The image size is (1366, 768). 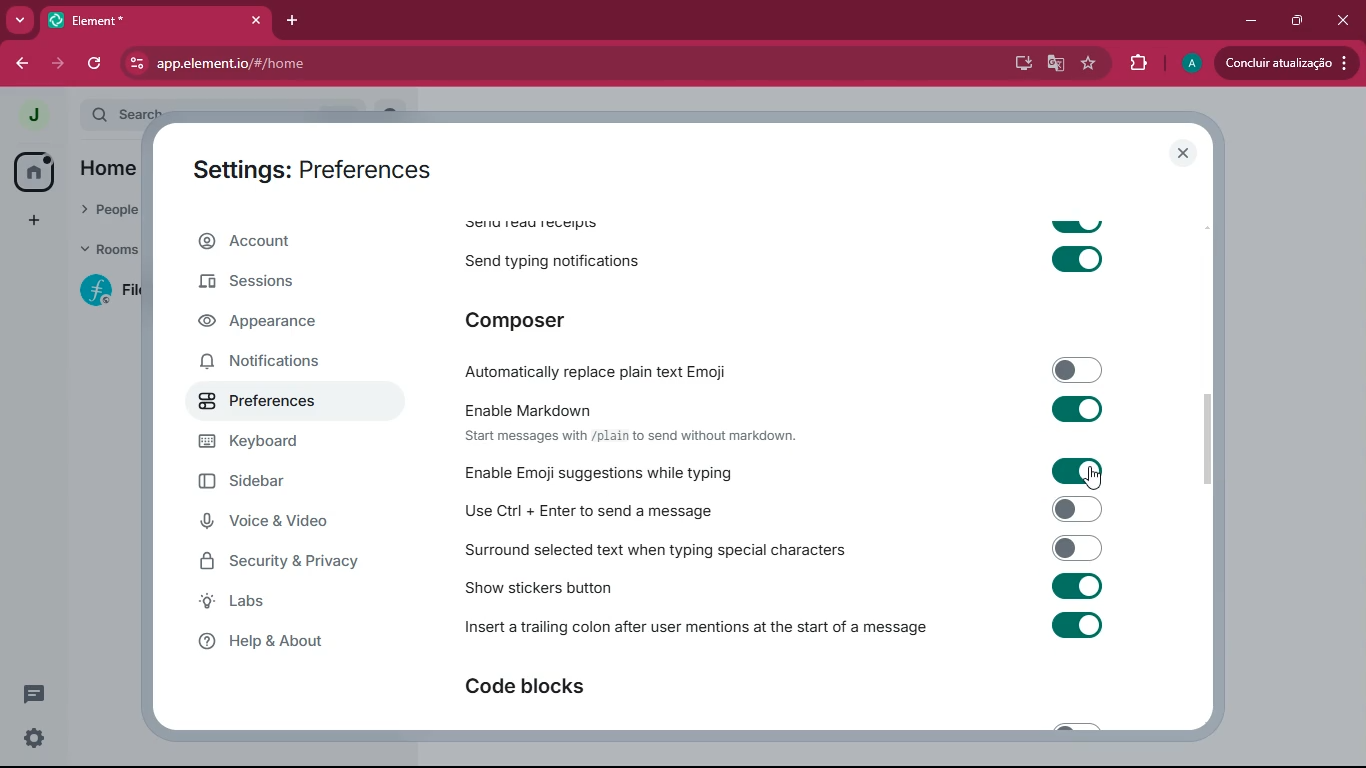 I want to click on maximize, so click(x=1295, y=20).